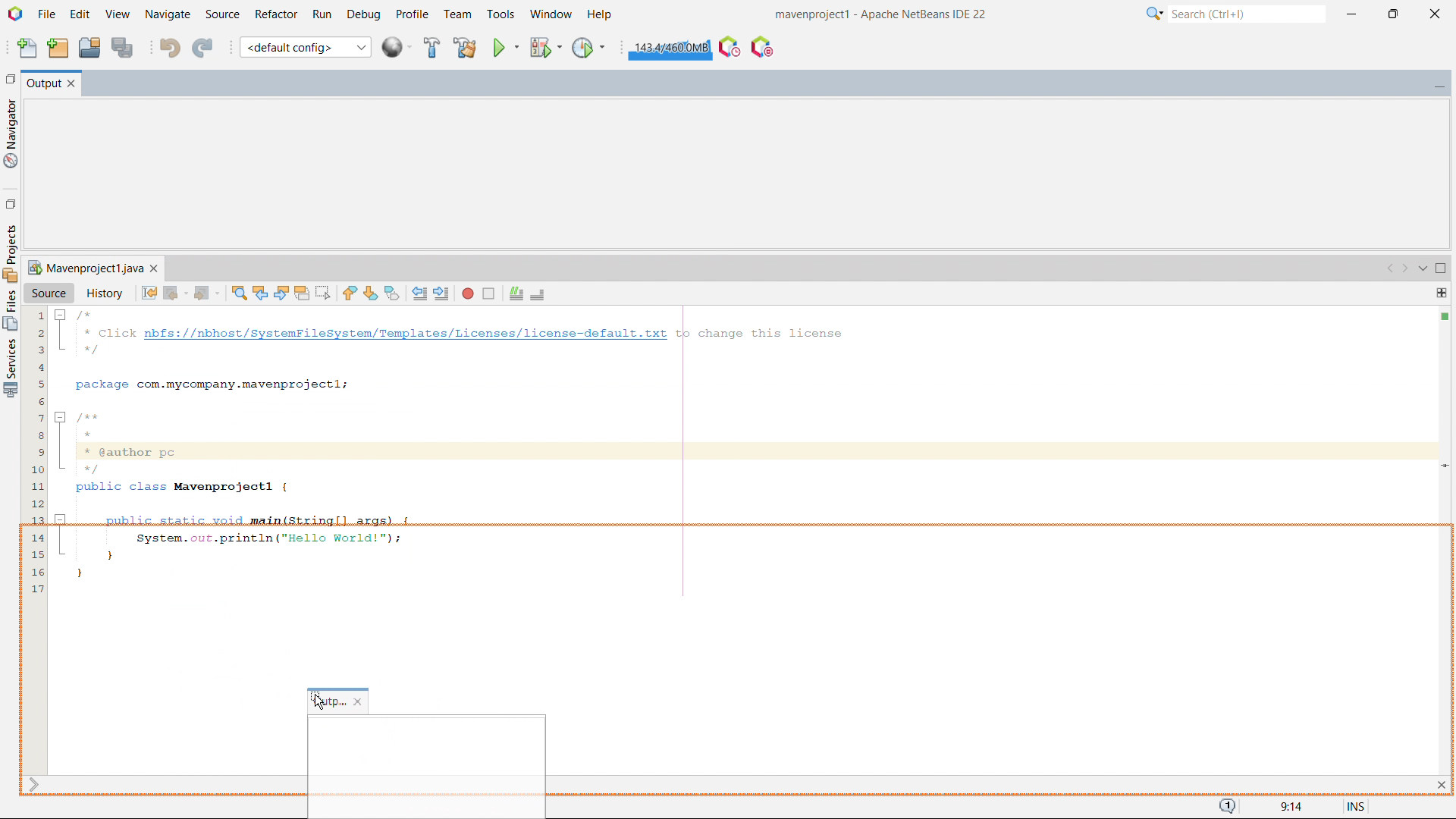 The width and height of the screenshot is (1456, 819). What do you see at coordinates (329, 702) in the screenshot?
I see `UTP..` at bounding box center [329, 702].